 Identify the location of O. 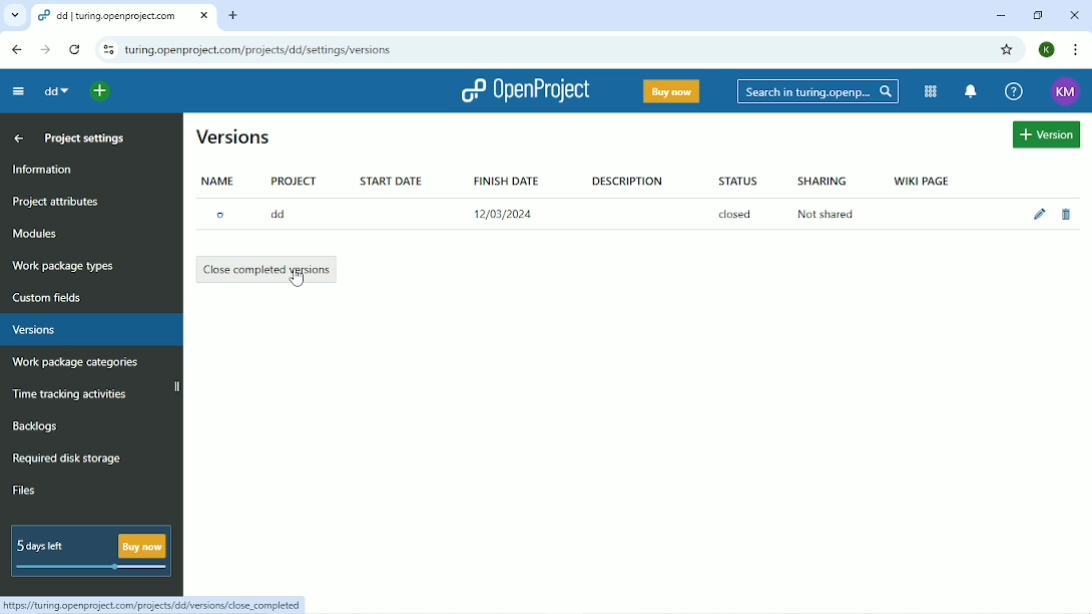
(226, 214).